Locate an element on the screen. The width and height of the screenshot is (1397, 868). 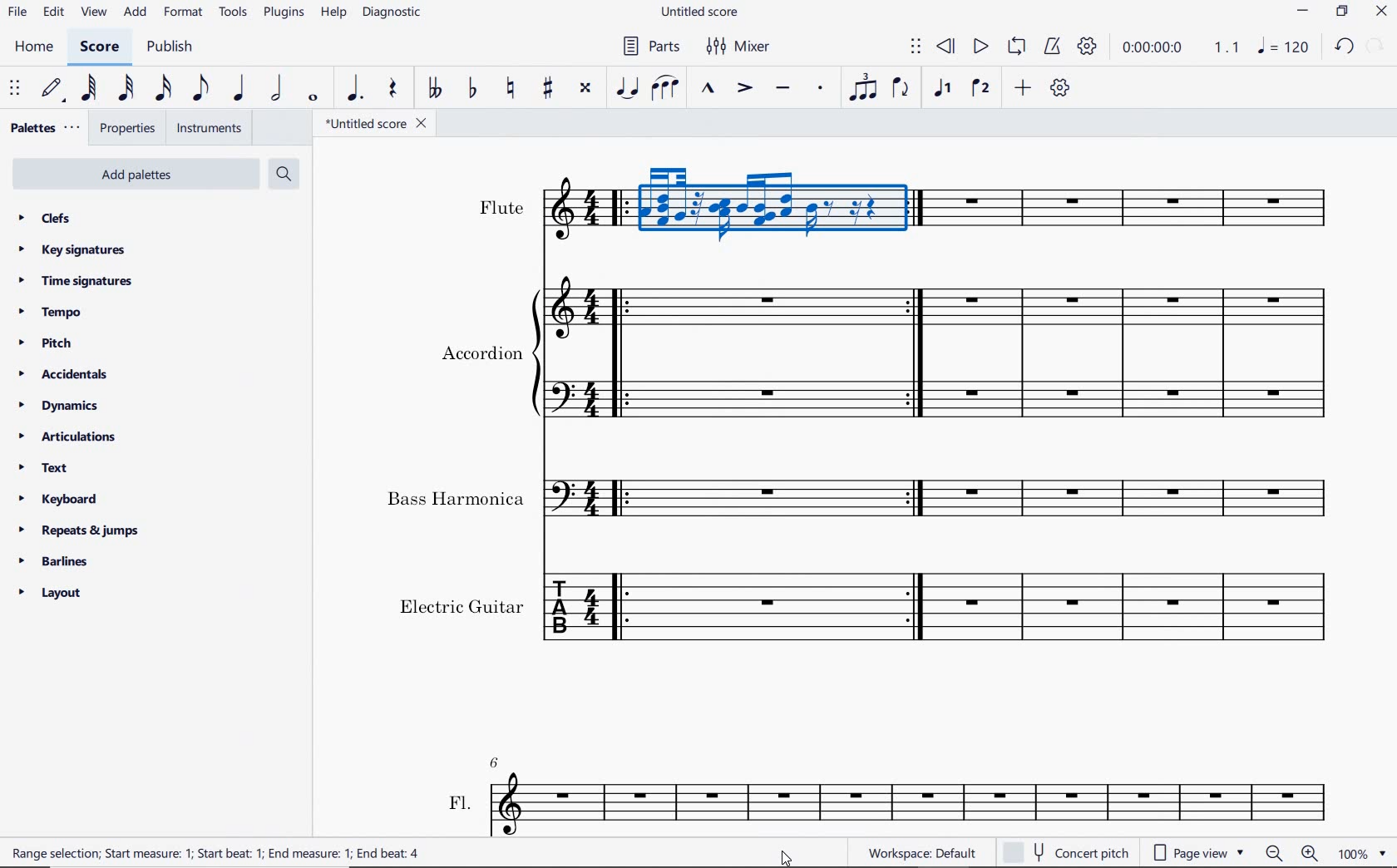
search palettes is located at coordinates (285, 175).